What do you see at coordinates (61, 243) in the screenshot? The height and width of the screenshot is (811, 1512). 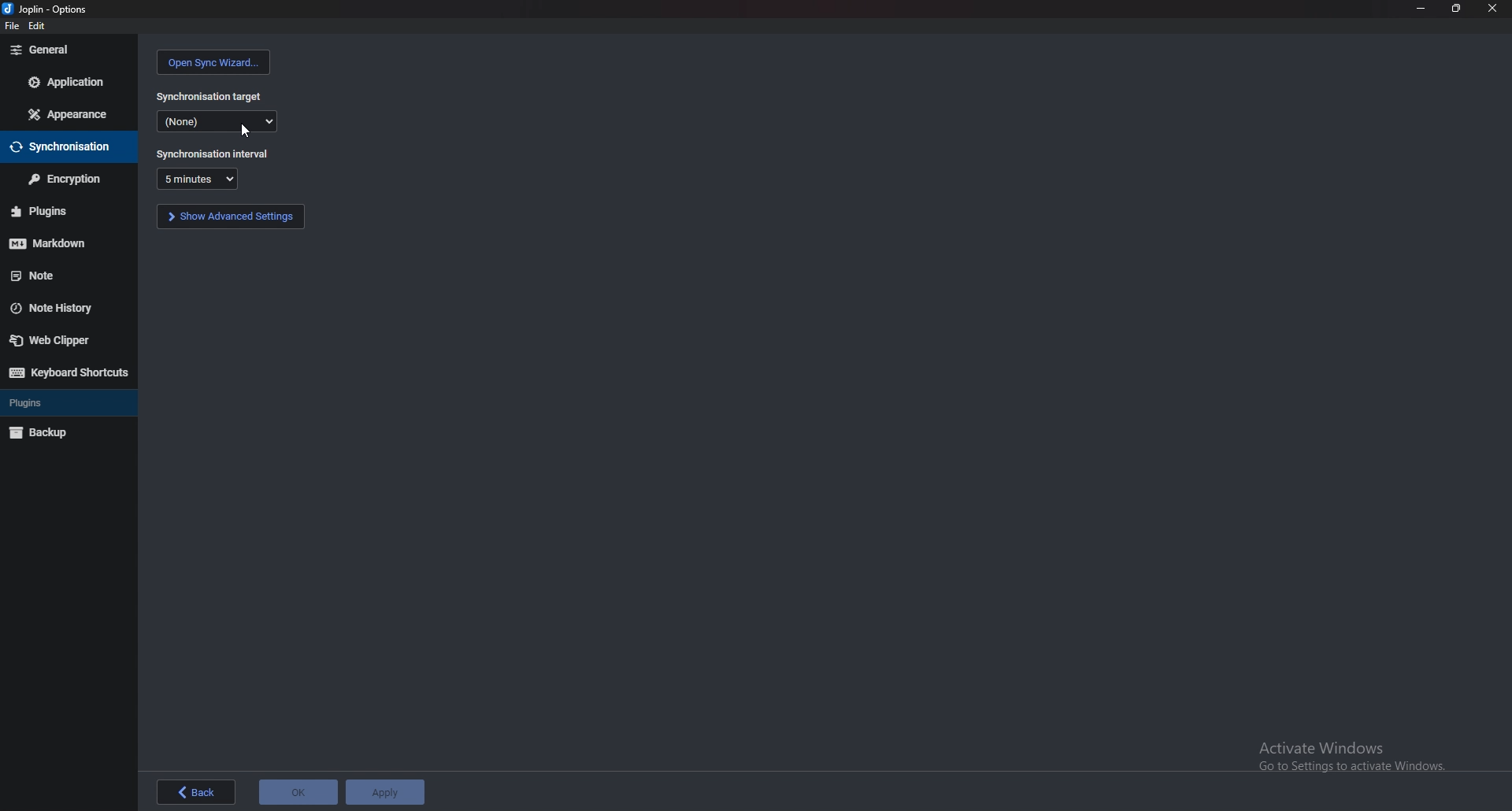 I see `markdown` at bounding box center [61, 243].